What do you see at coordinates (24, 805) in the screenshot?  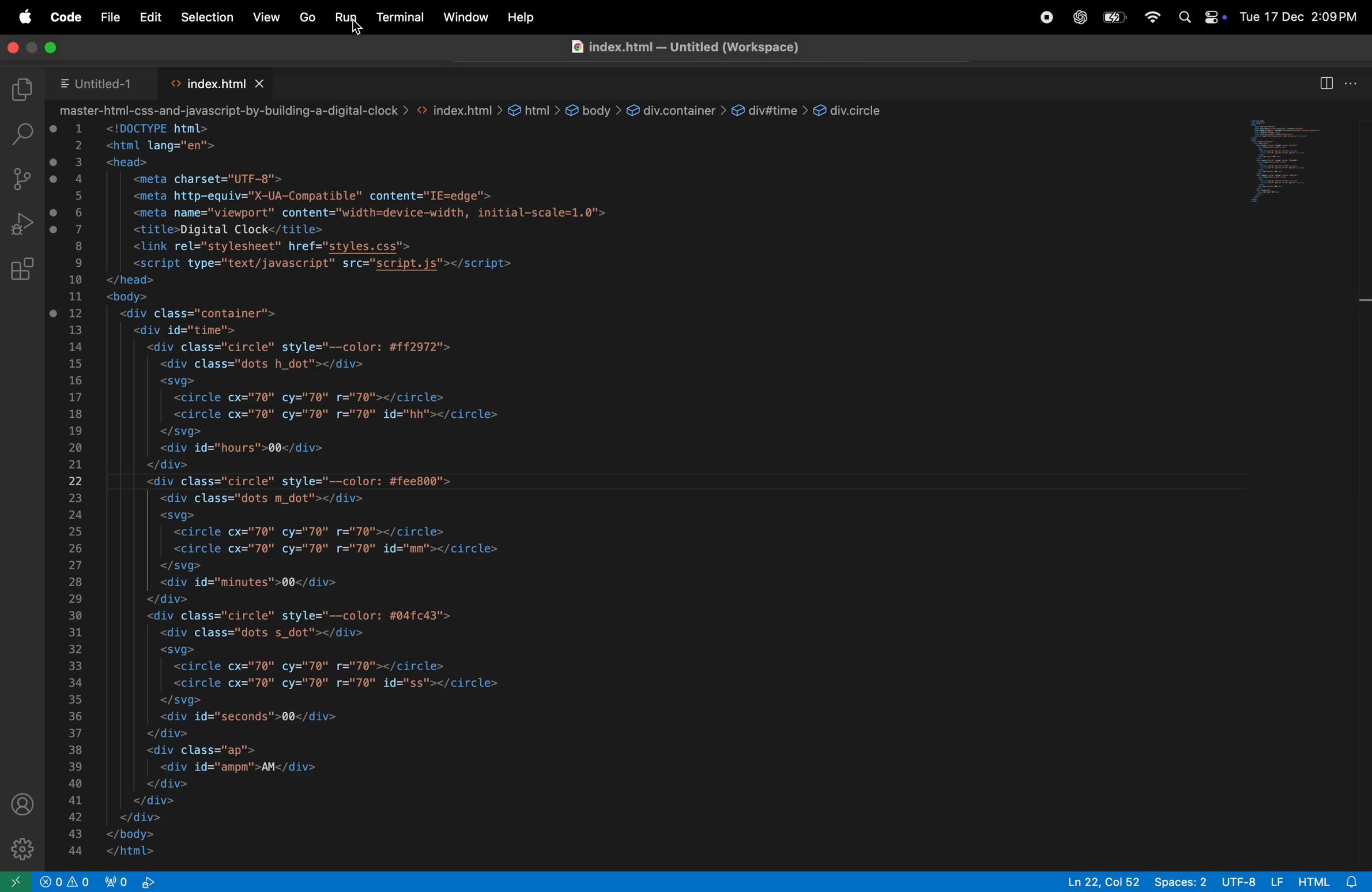 I see `profile` at bounding box center [24, 805].